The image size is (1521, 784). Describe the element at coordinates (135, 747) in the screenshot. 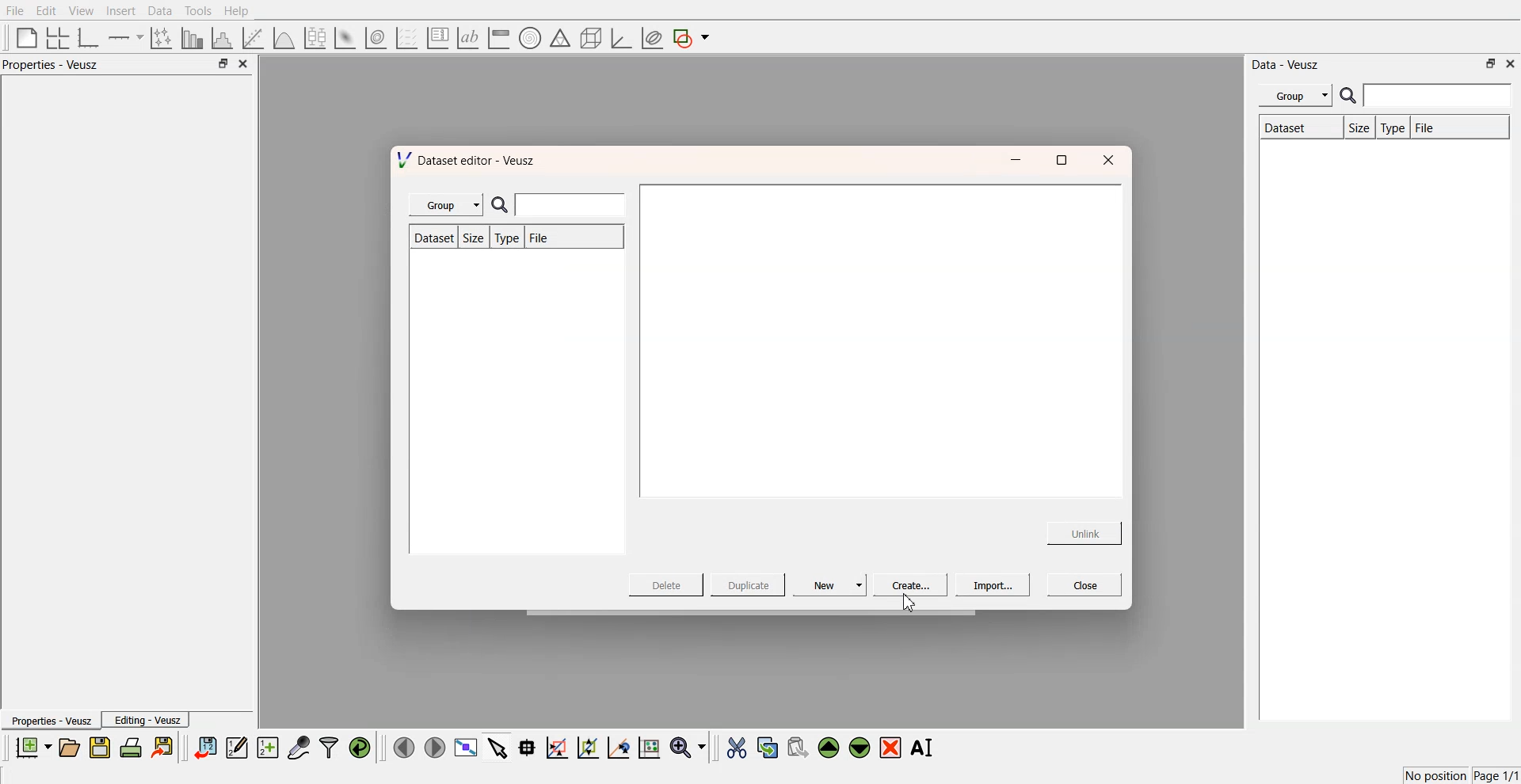

I see `print` at that location.